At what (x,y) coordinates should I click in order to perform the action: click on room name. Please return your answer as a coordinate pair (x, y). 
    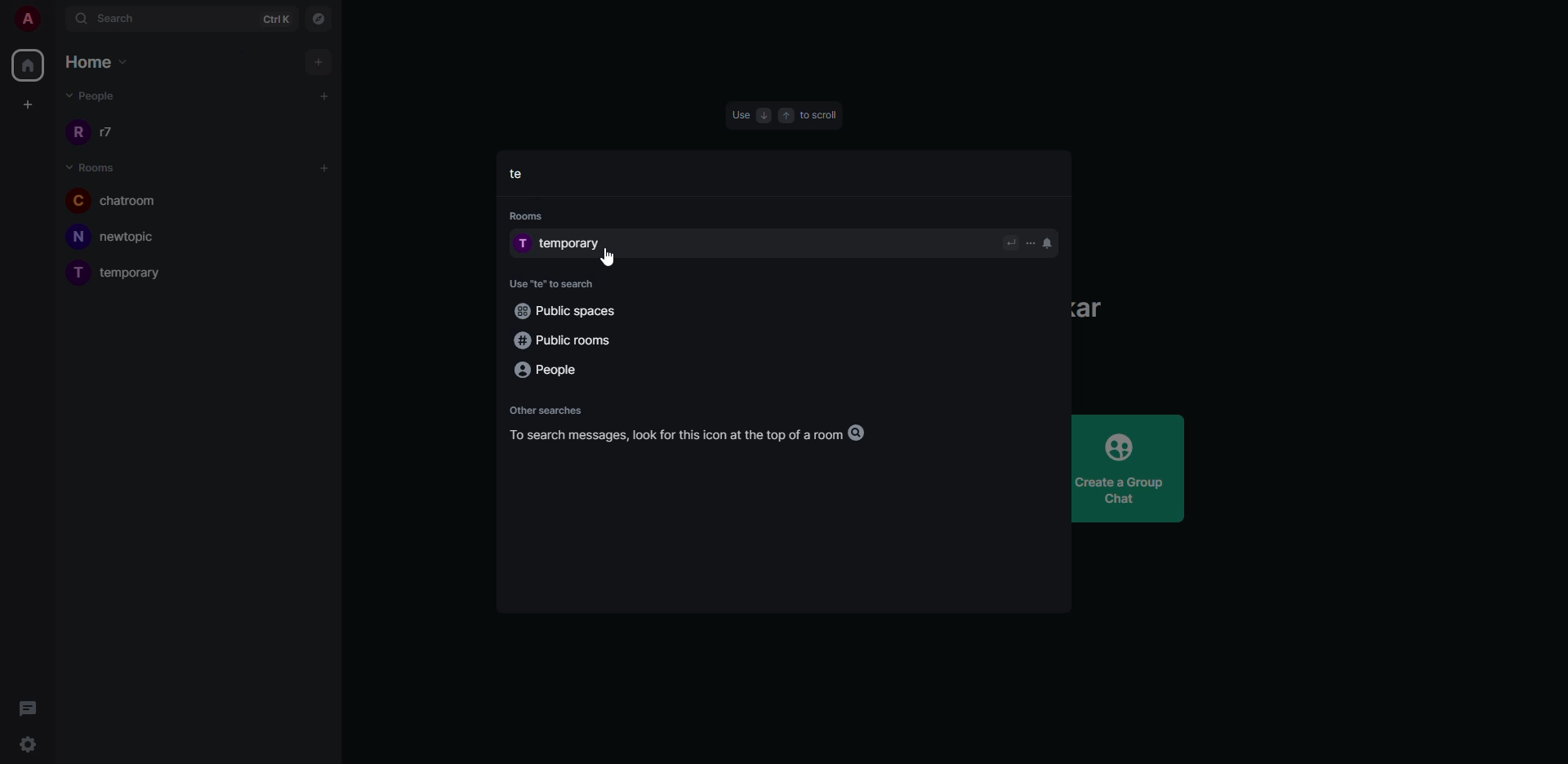
    Looking at the image, I should click on (564, 243).